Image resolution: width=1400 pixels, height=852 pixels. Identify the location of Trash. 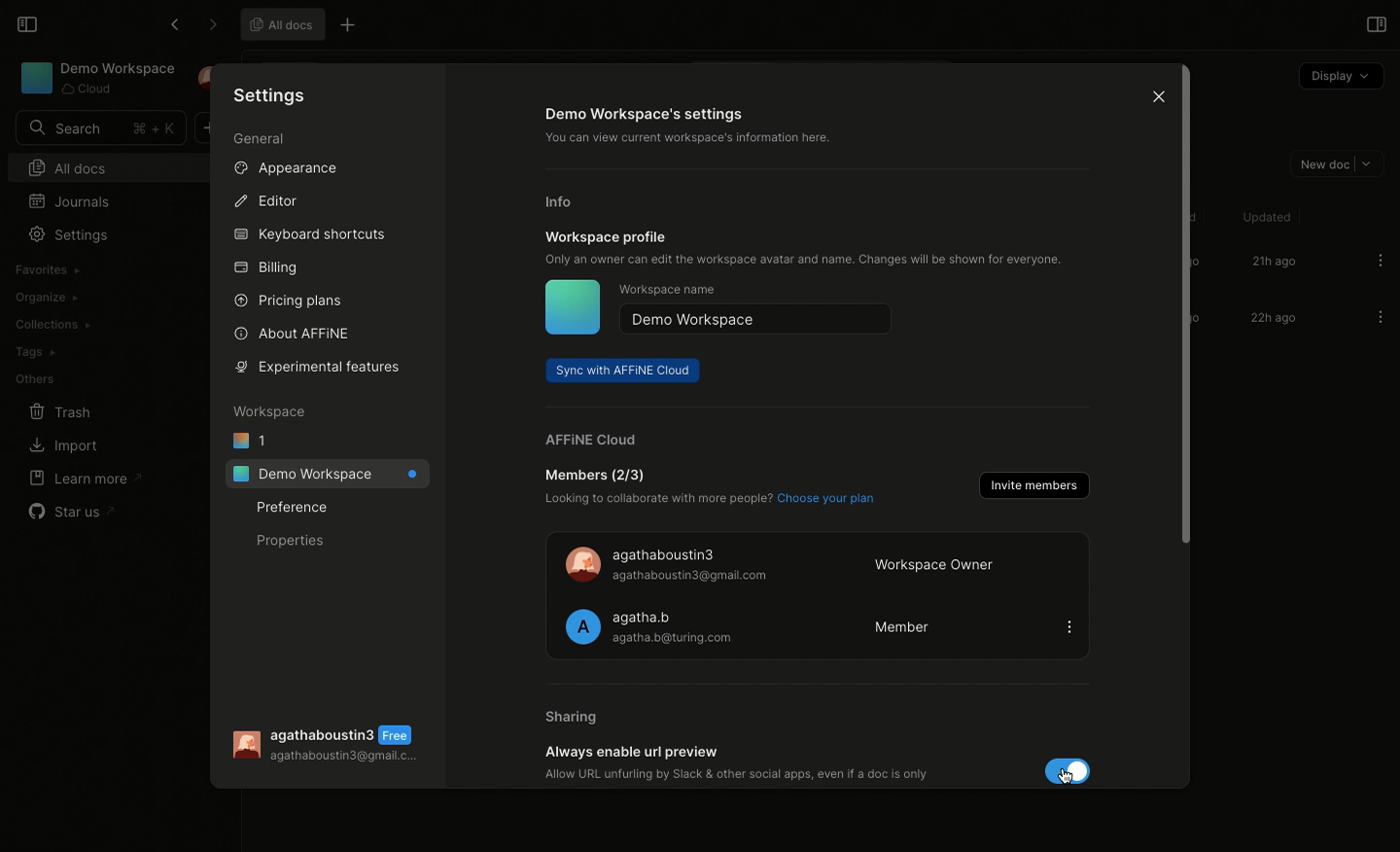
(60, 412).